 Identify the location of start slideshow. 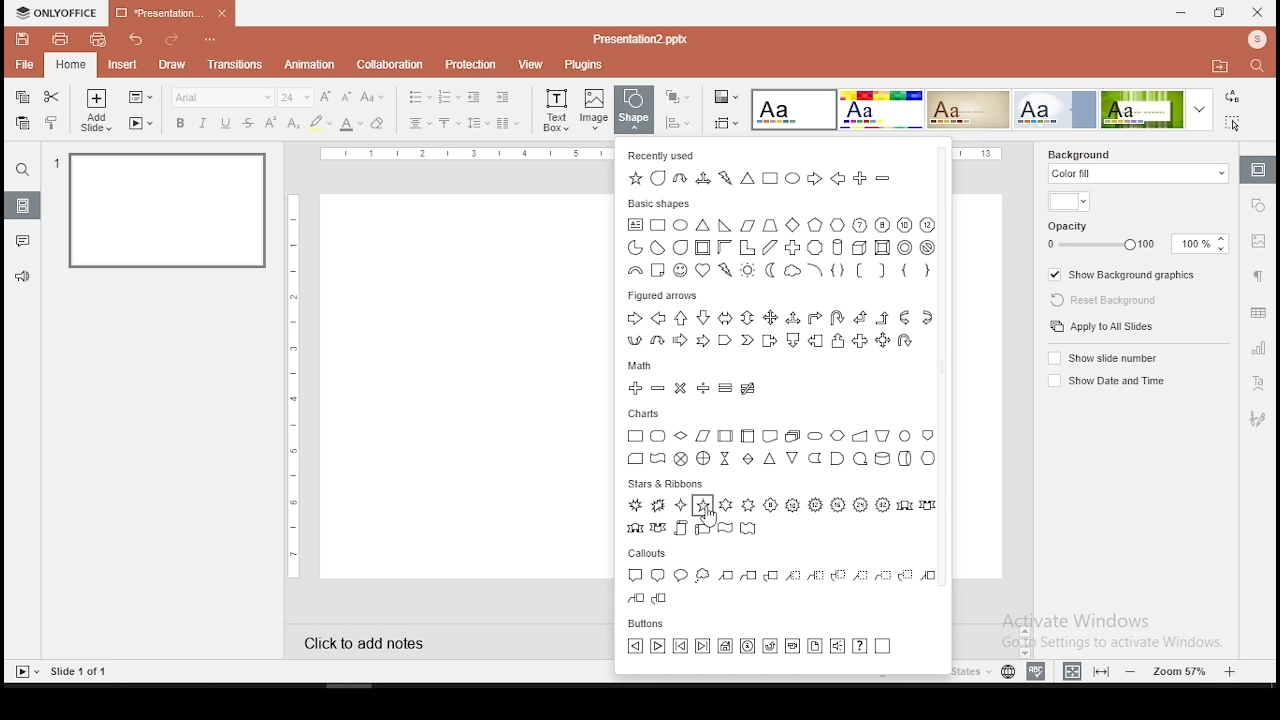
(26, 672).